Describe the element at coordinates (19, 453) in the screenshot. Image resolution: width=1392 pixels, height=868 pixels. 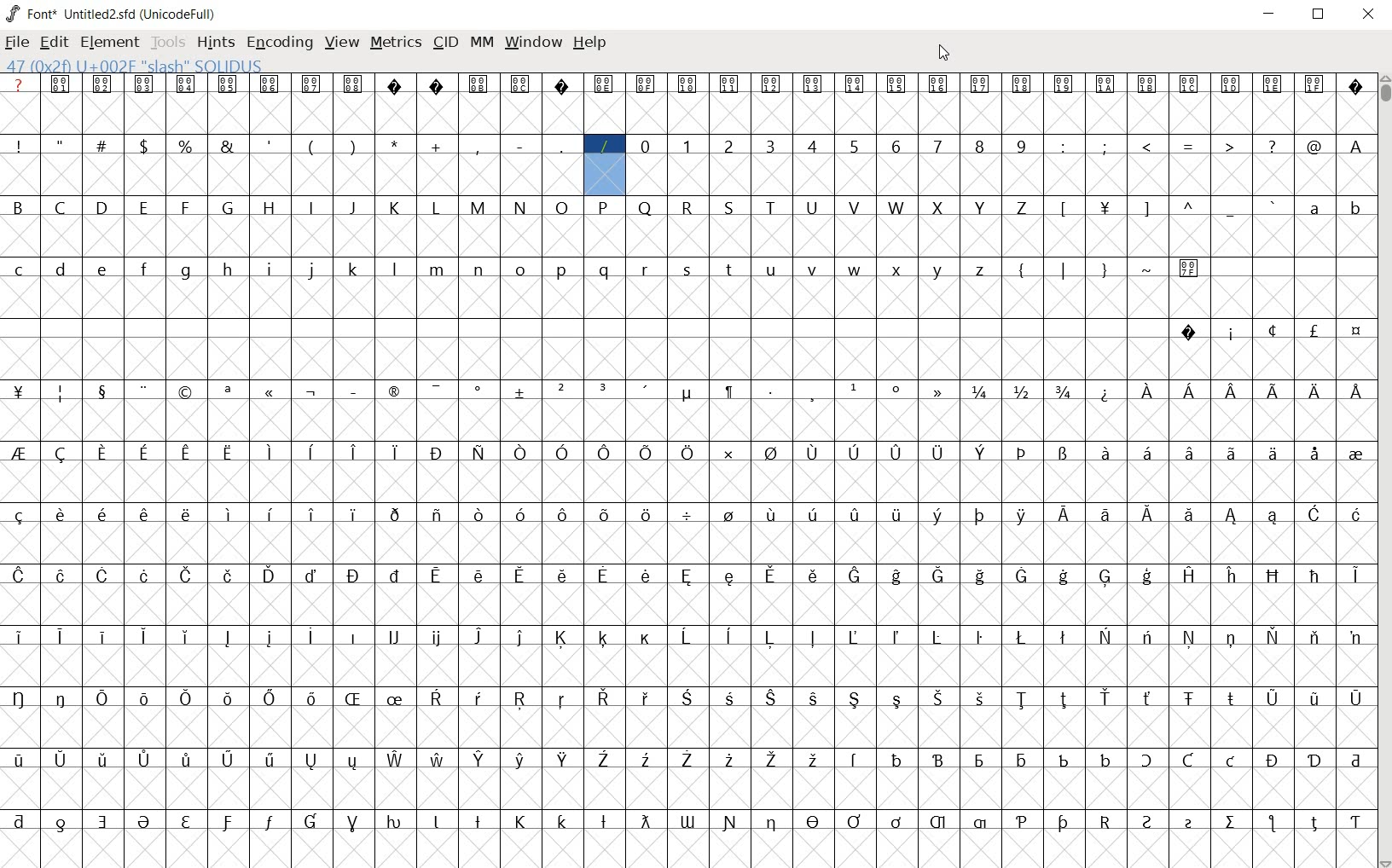
I see `glyph` at that location.